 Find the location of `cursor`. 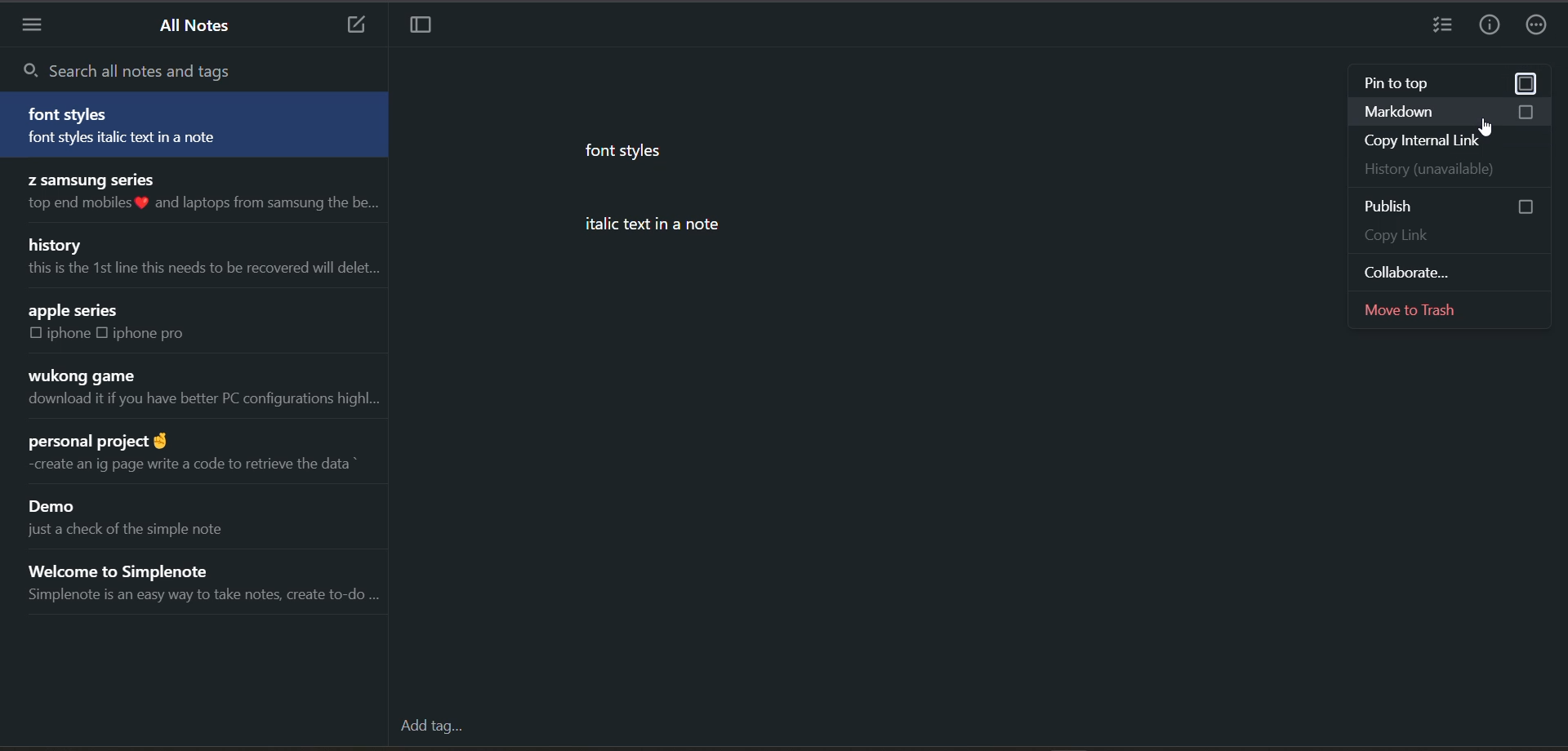

cursor is located at coordinates (1489, 129).